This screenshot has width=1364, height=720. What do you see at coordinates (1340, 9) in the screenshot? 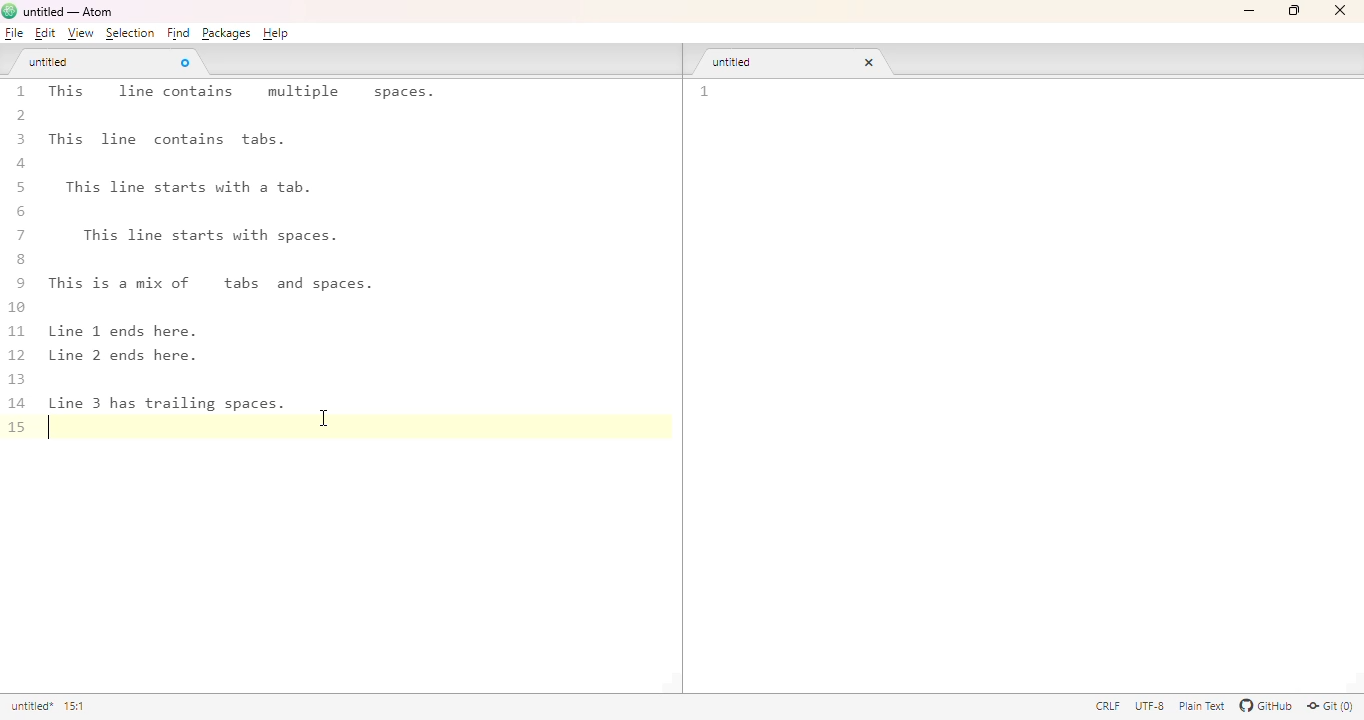
I see `close` at bounding box center [1340, 9].